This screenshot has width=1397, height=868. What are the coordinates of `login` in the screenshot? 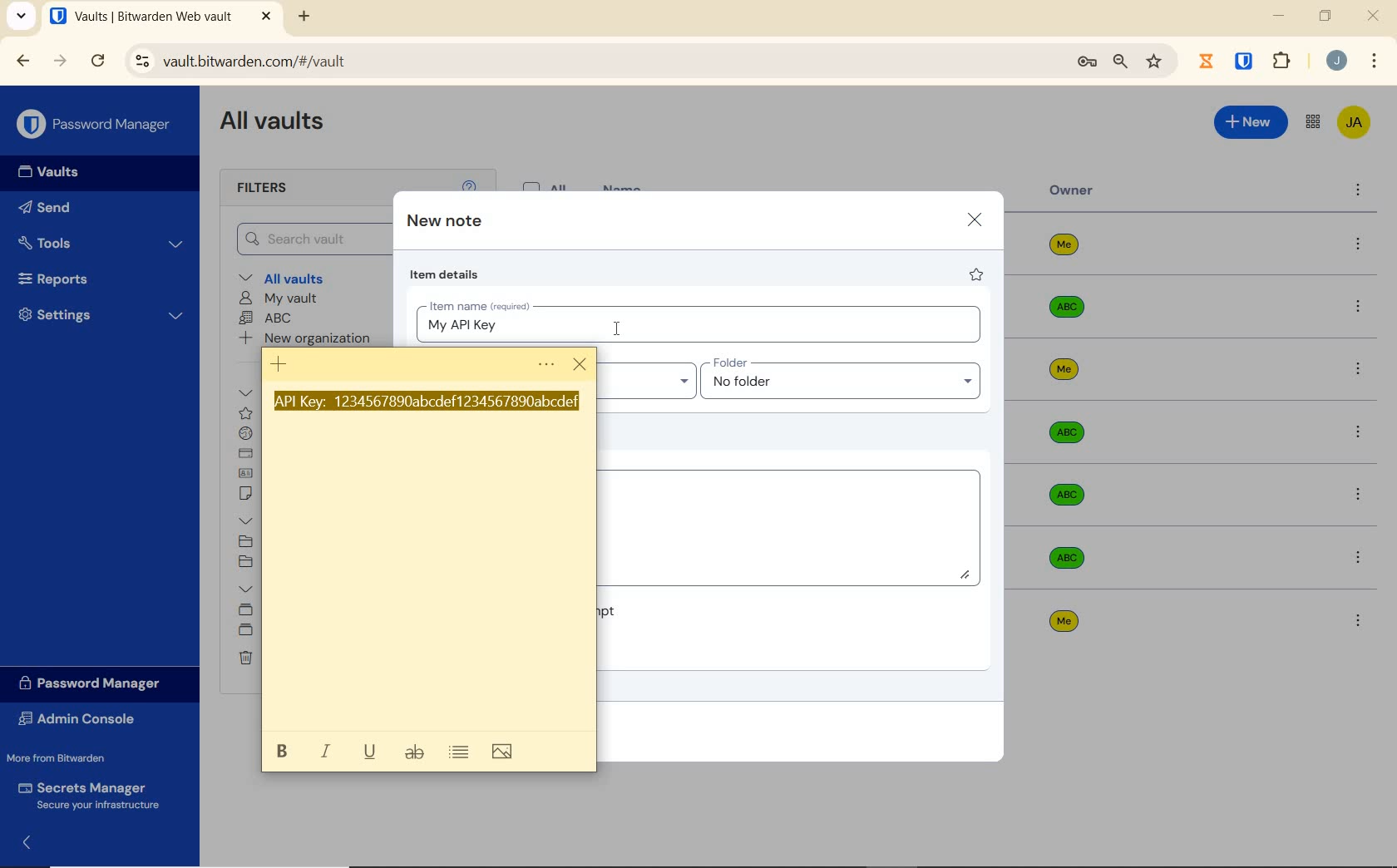 It's located at (247, 435).